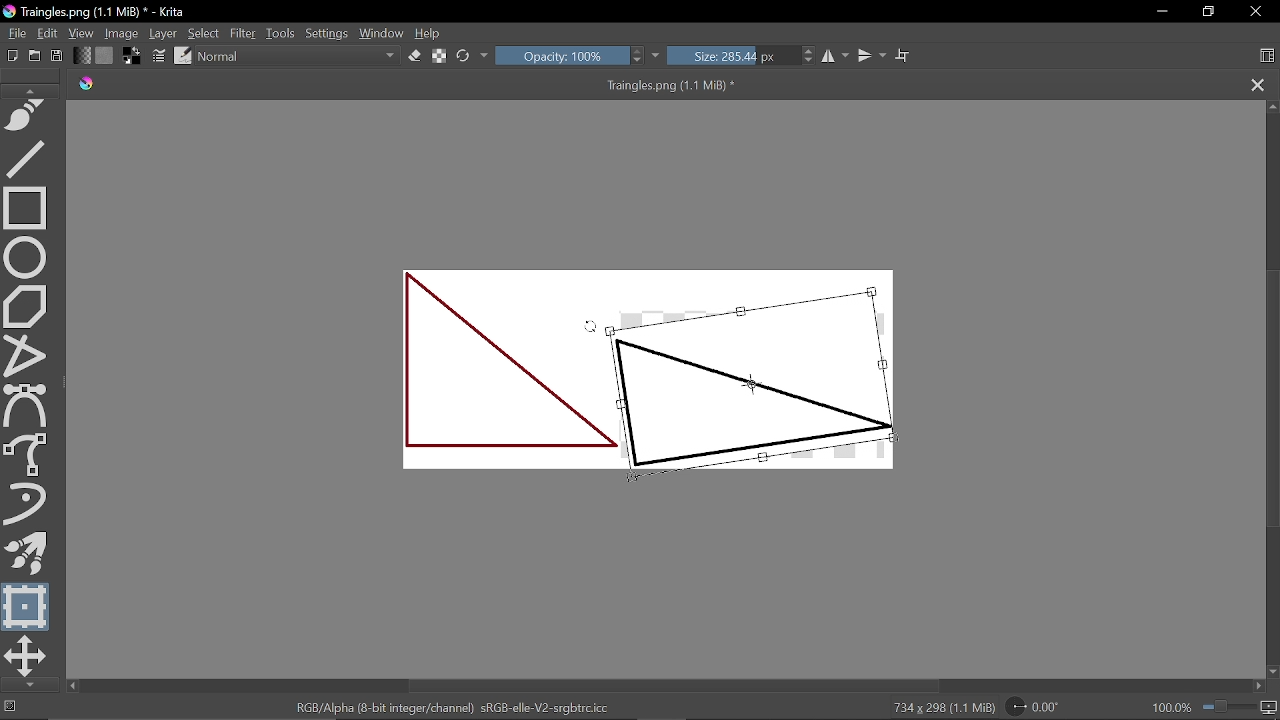  What do you see at coordinates (123, 33) in the screenshot?
I see `Image` at bounding box center [123, 33].